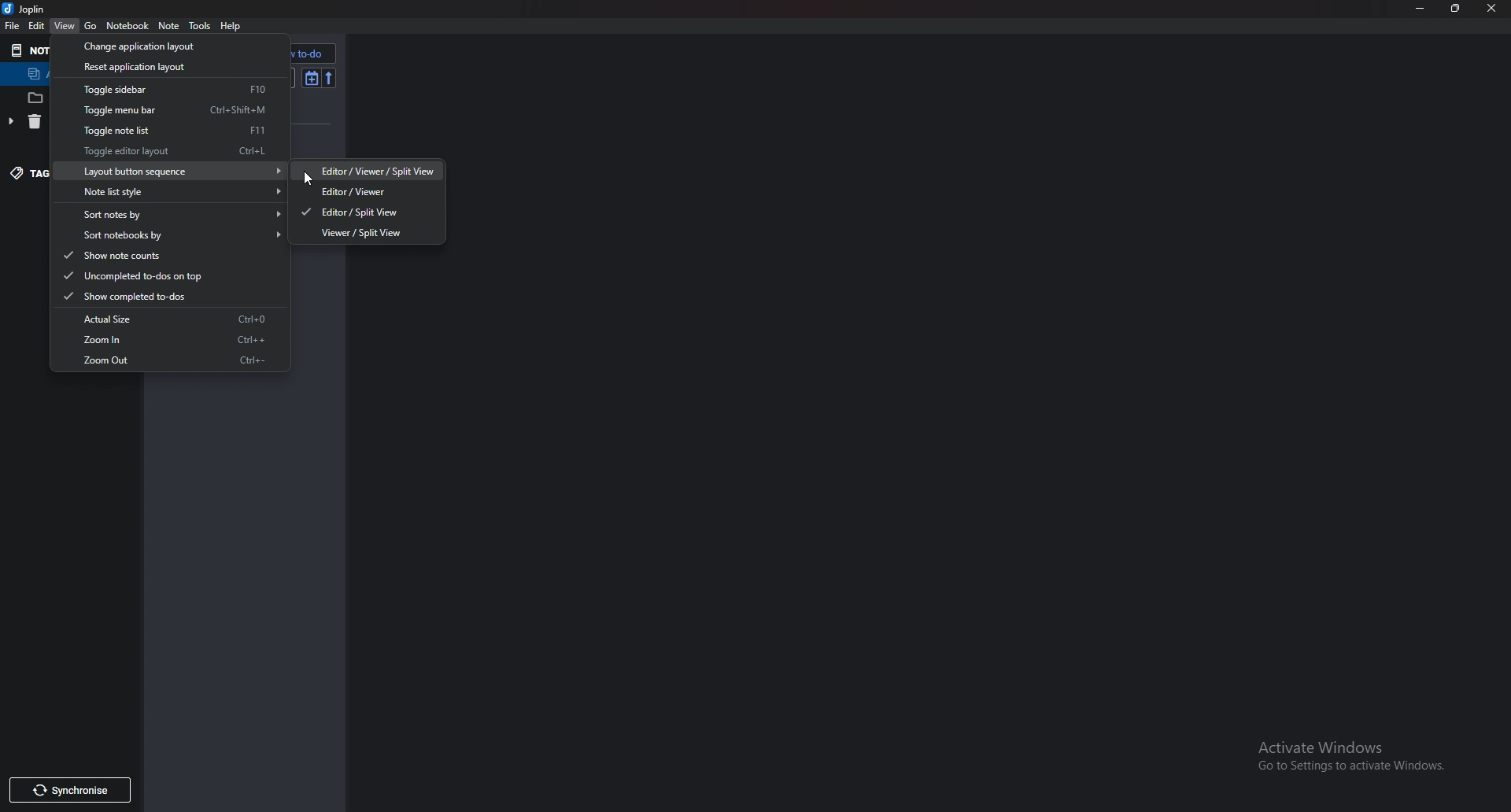  Describe the element at coordinates (176, 193) in the screenshot. I see `Note list style` at that location.